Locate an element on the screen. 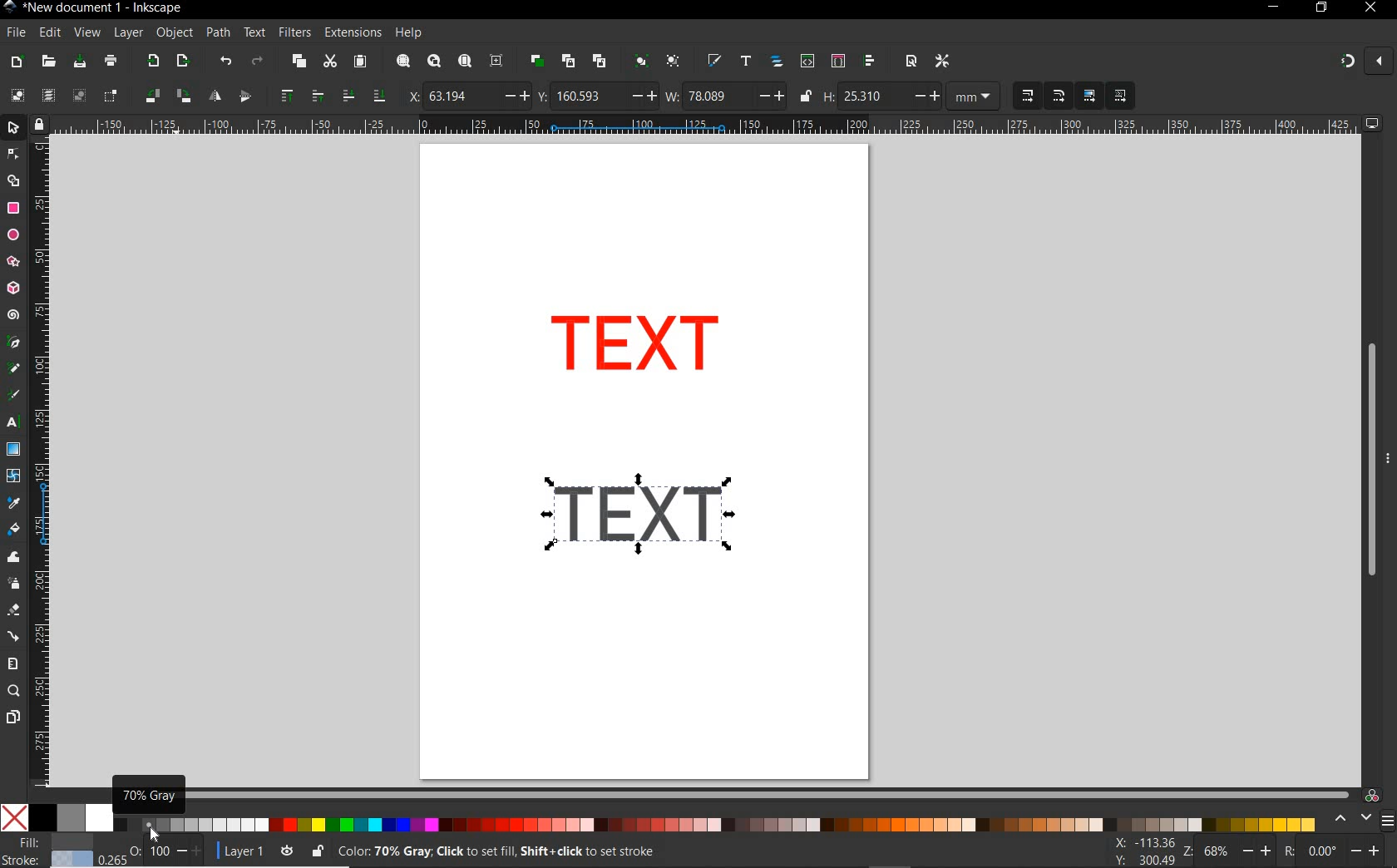 This screenshot has width=1397, height=868. eraser tool is located at coordinates (12, 611).